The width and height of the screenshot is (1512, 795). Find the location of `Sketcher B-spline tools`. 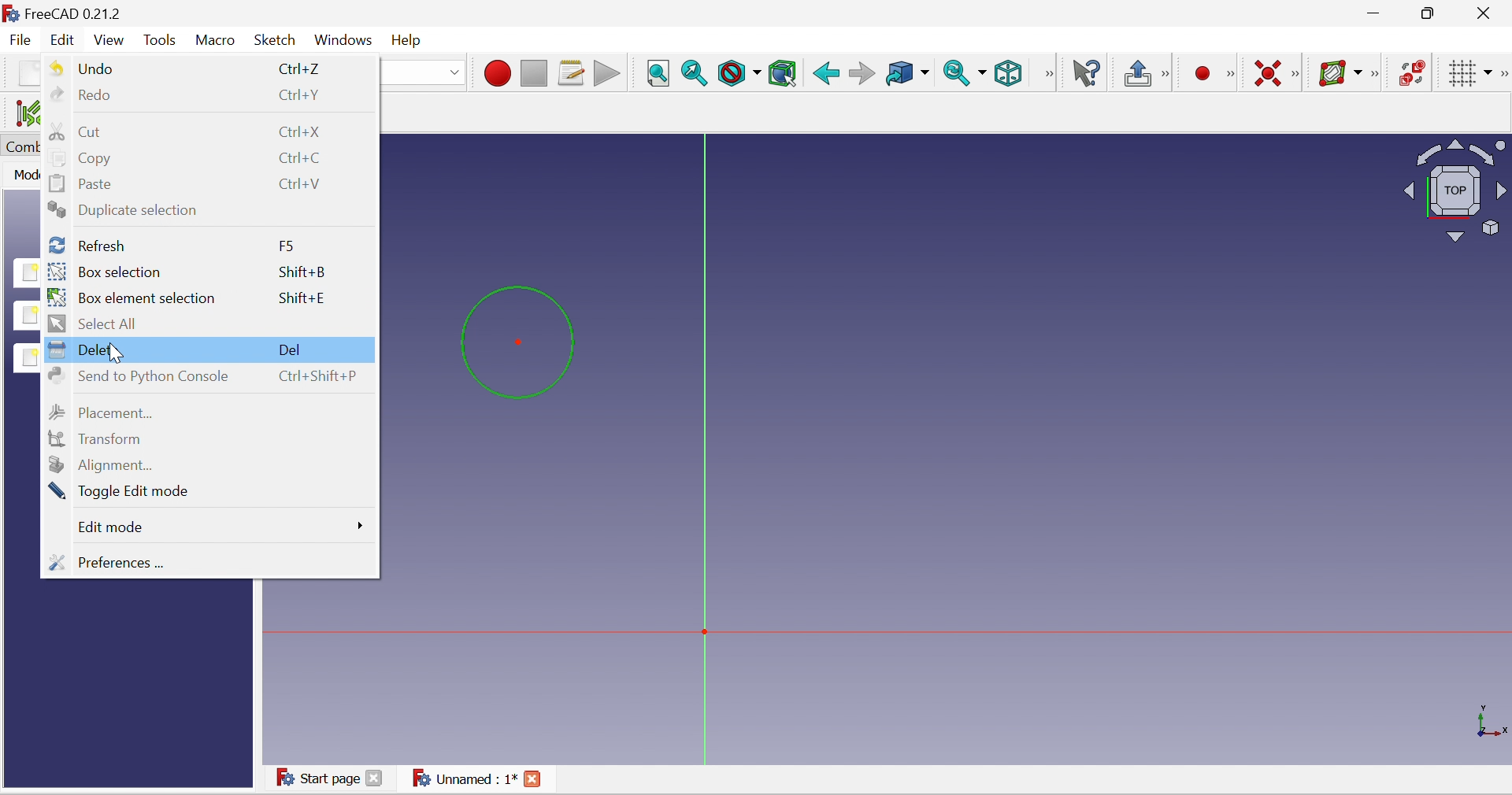

Sketcher B-spline tools is located at coordinates (1378, 74).